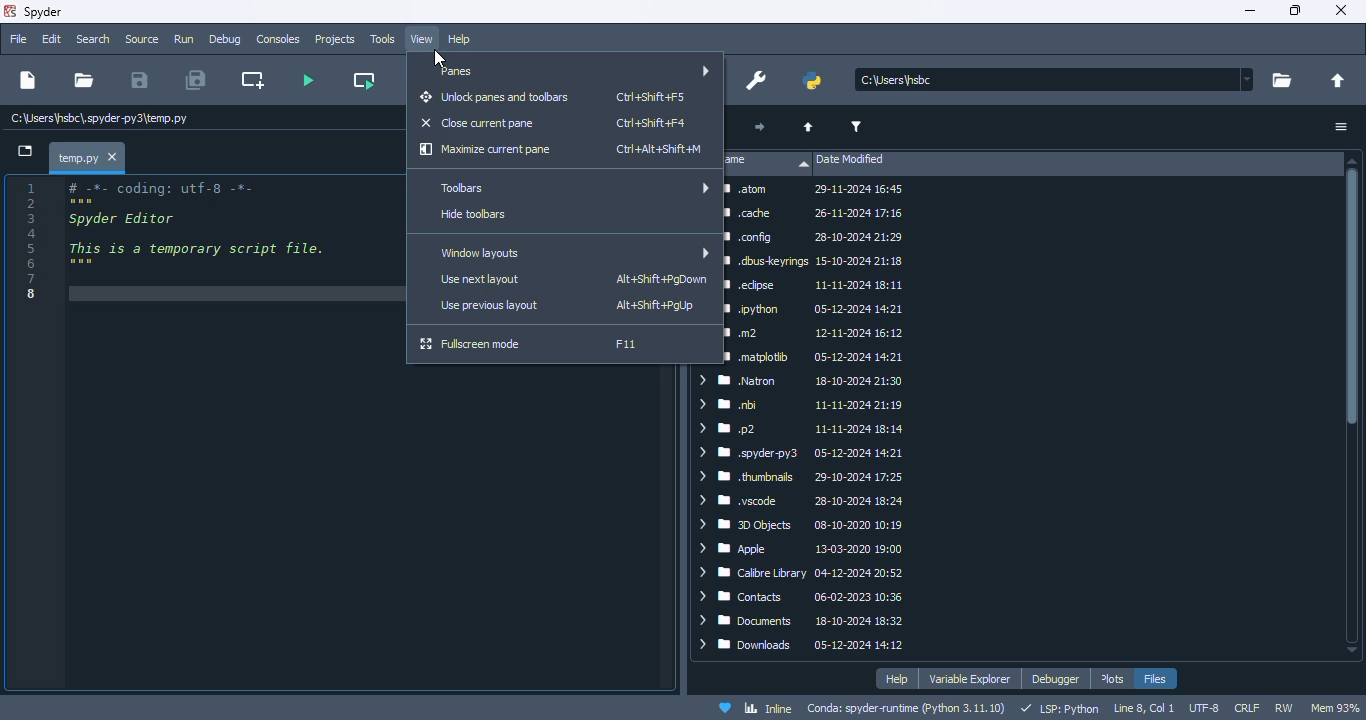 Image resolution: width=1366 pixels, height=720 pixels. What do you see at coordinates (99, 118) in the screenshot?
I see `temporary file` at bounding box center [99, 118].